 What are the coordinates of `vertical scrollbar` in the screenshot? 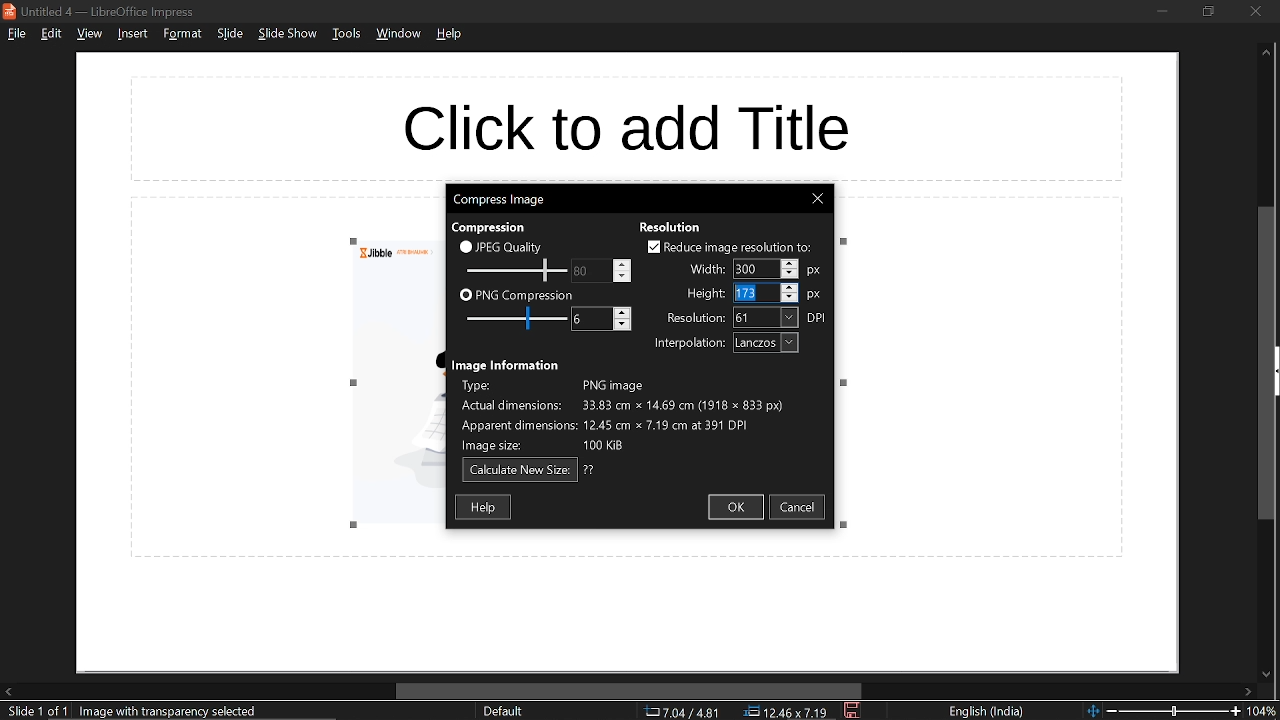 It's located at (1267, 363).